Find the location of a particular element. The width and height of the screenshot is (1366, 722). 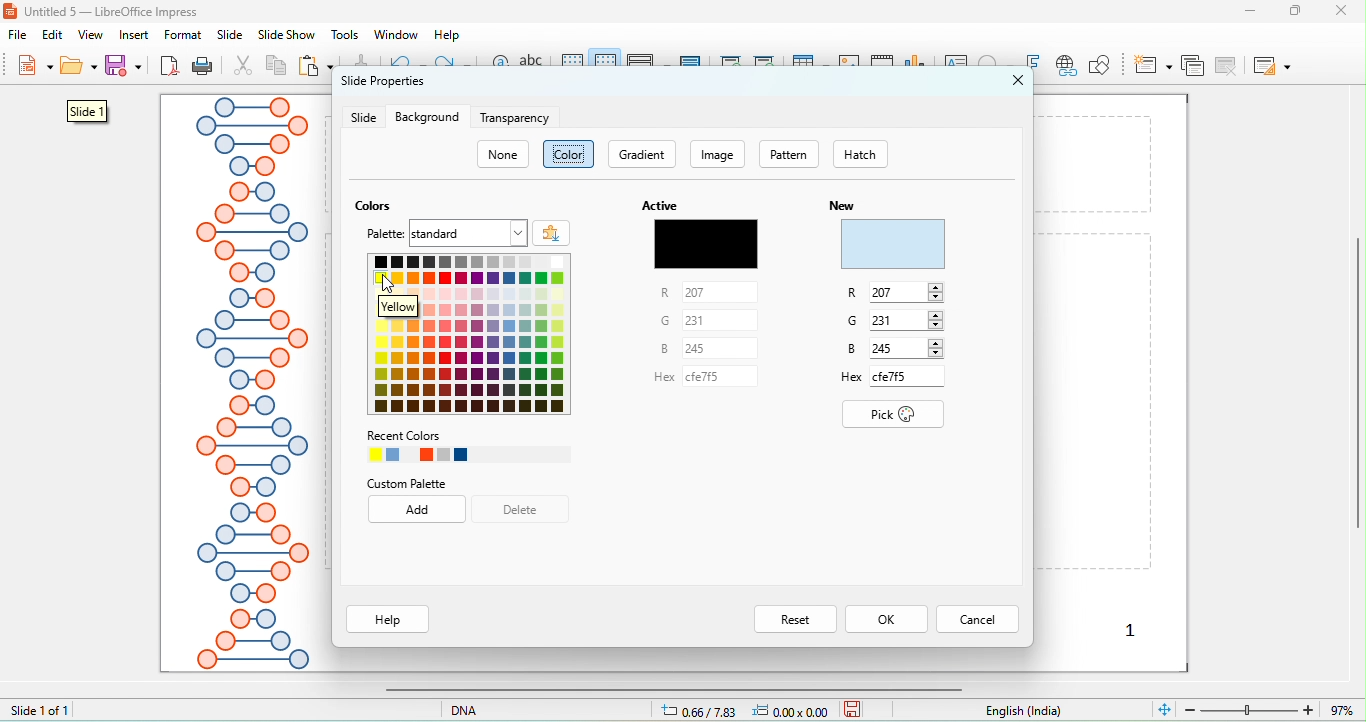

hyperlink is located at coordinates (1065, 67).